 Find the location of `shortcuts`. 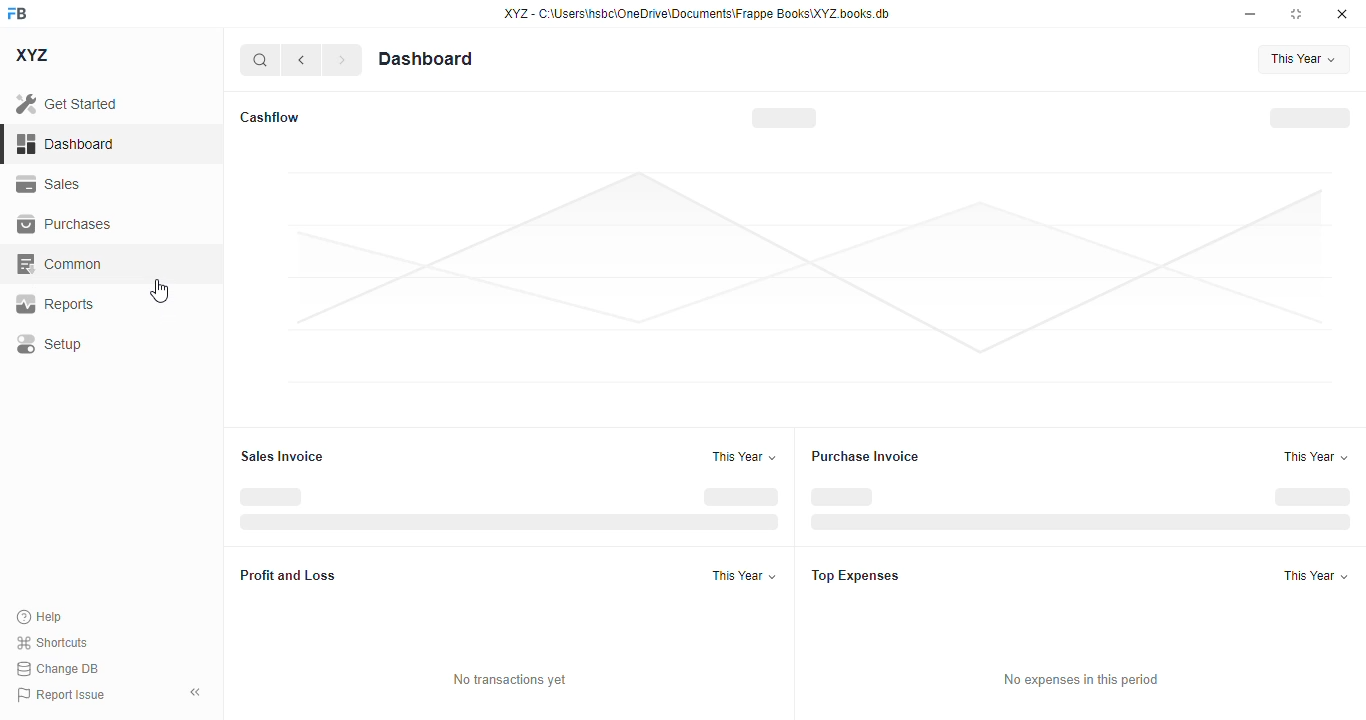

shortcuts is located at coordinates (51, 642).